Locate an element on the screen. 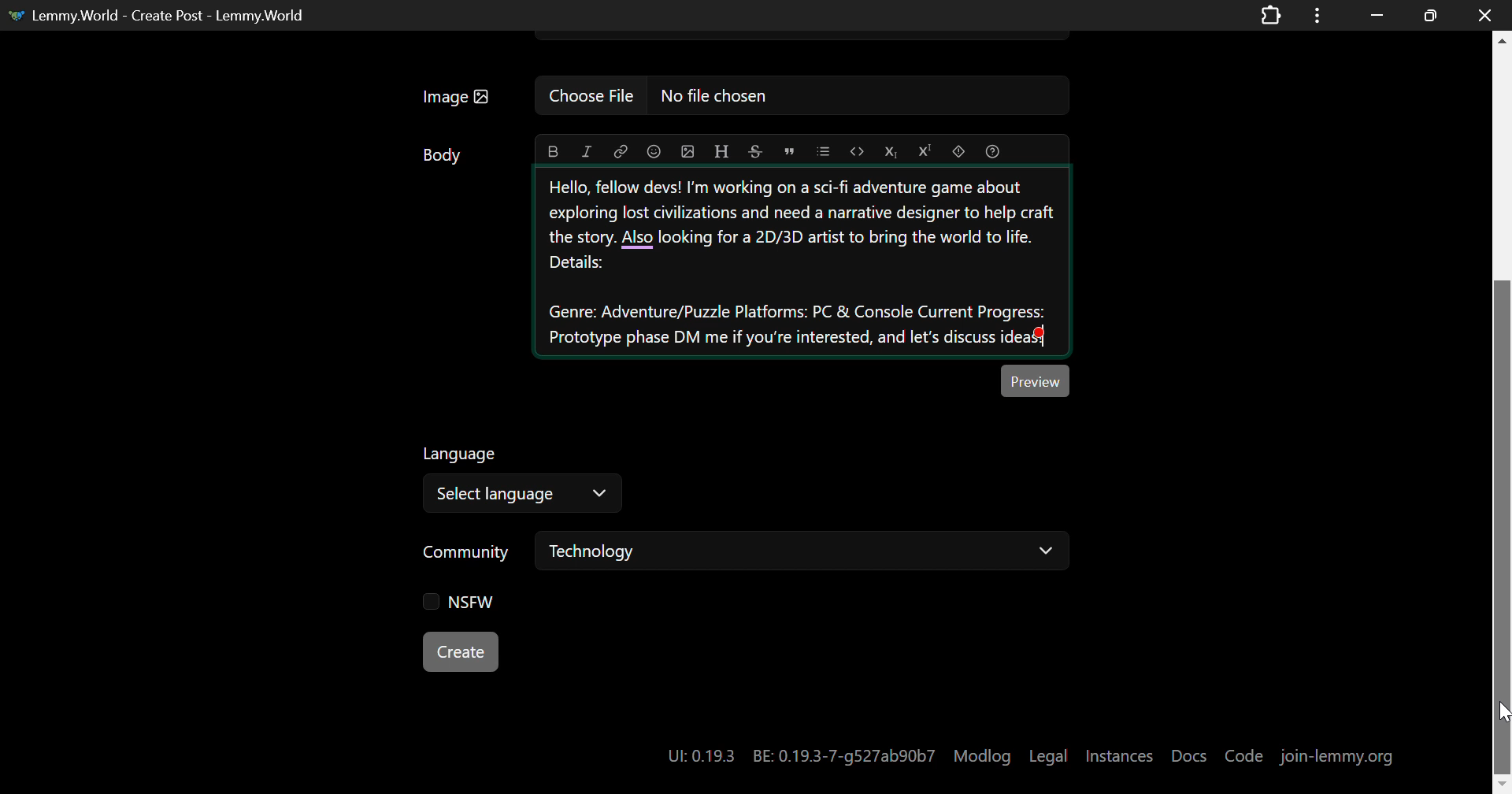 Image resolution: width=1512 pixels, height=794 pixels. code is located at coordinates (859, 151).